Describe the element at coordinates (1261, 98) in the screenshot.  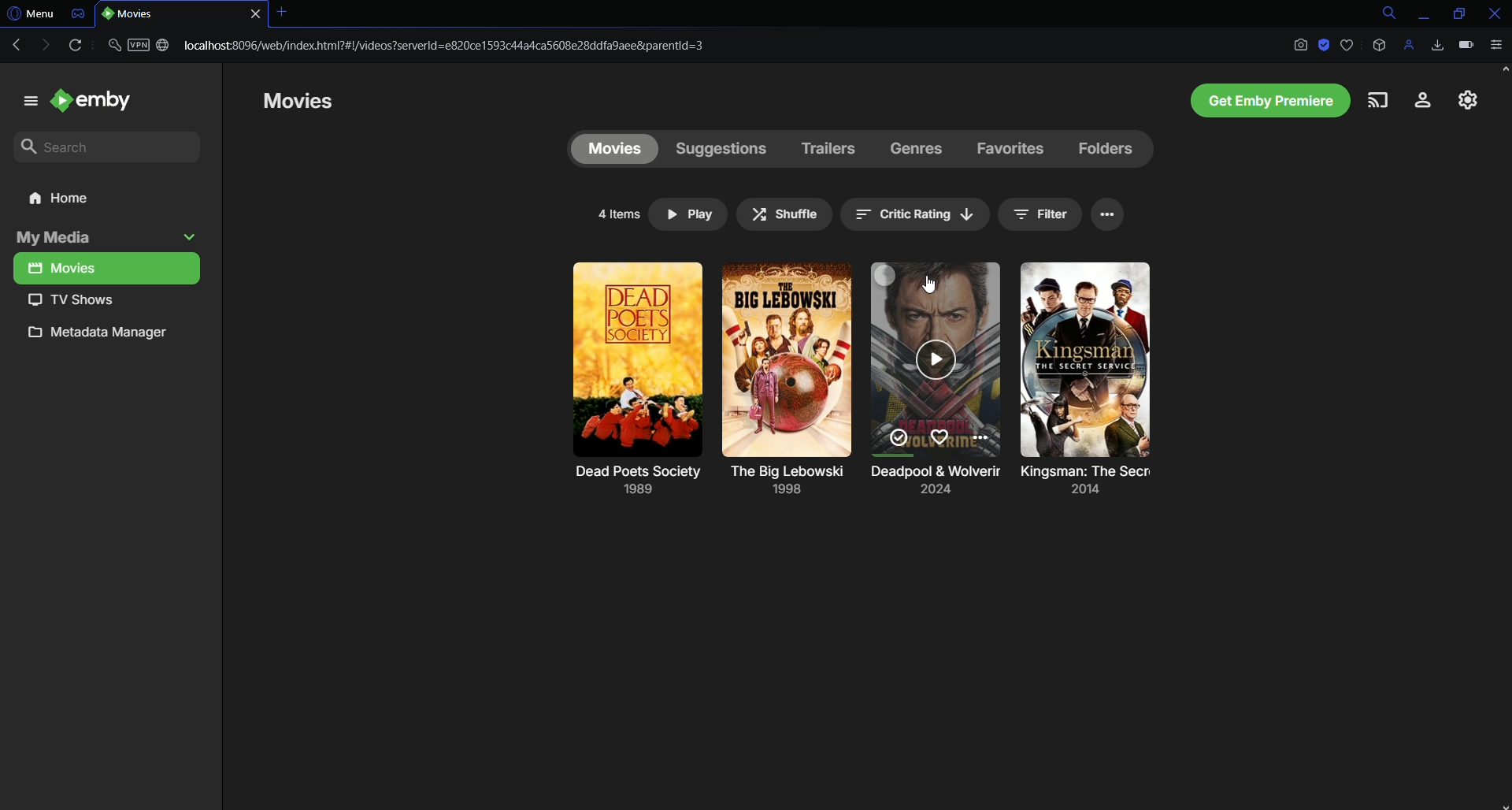
I see `Emby Premiere` at that location.